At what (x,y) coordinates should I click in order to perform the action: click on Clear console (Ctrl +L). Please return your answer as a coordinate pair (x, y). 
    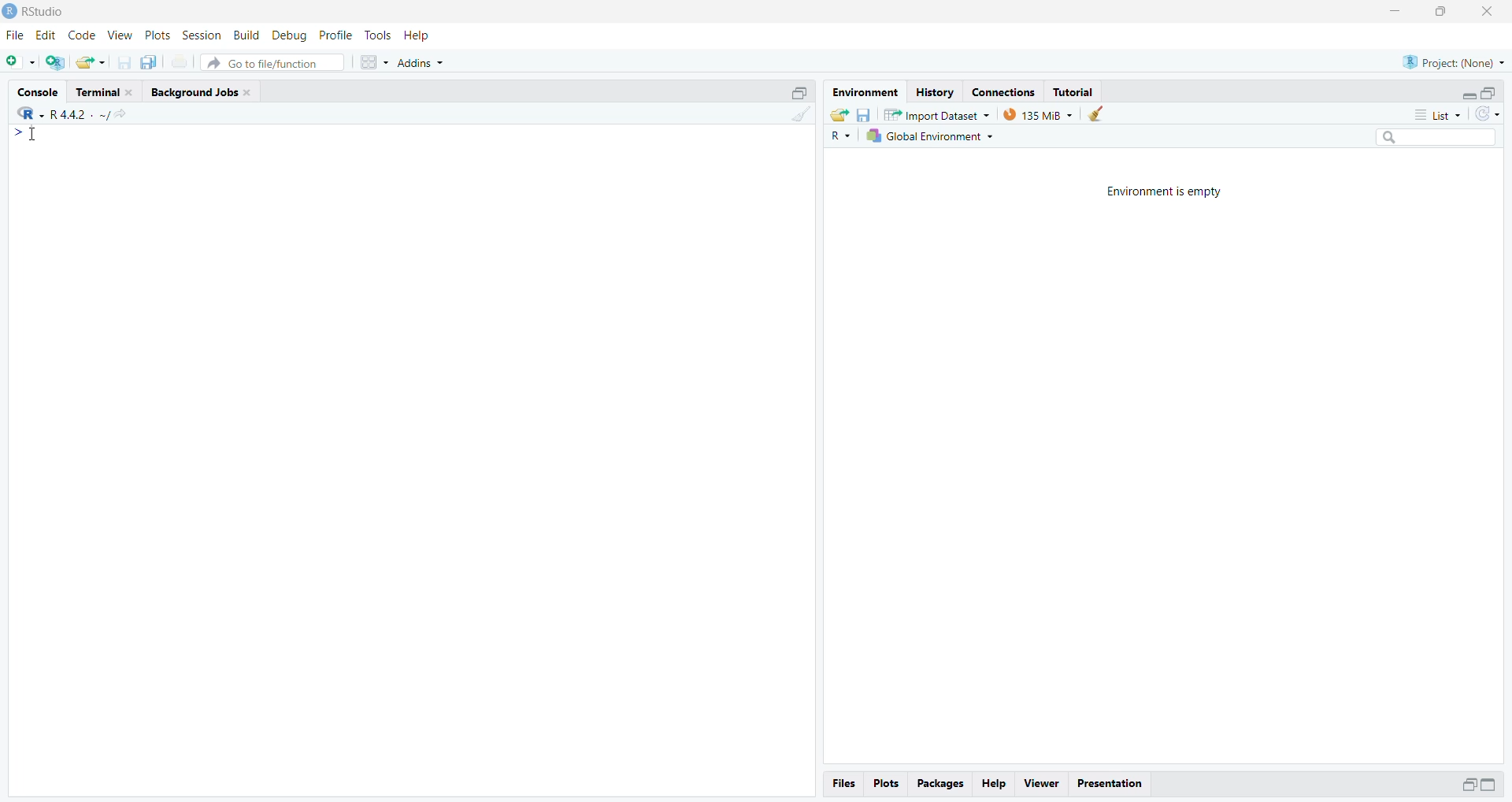
    Looking at the image, I should click on (798, 123).